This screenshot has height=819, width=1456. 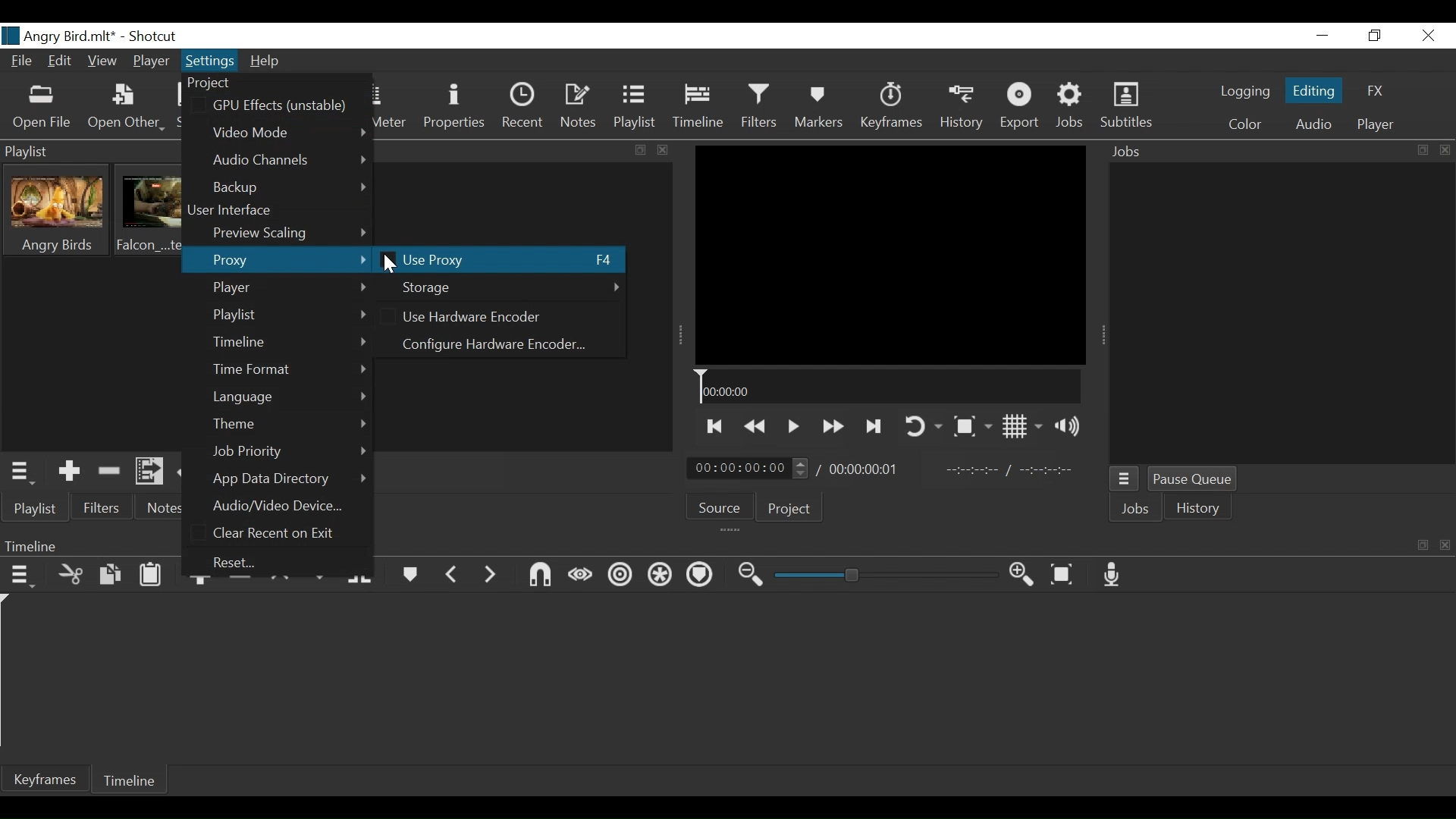 What do you see at coordinates (1373, 89) in the screenshot?
I see `FX` at bounding box center [1373, 89].